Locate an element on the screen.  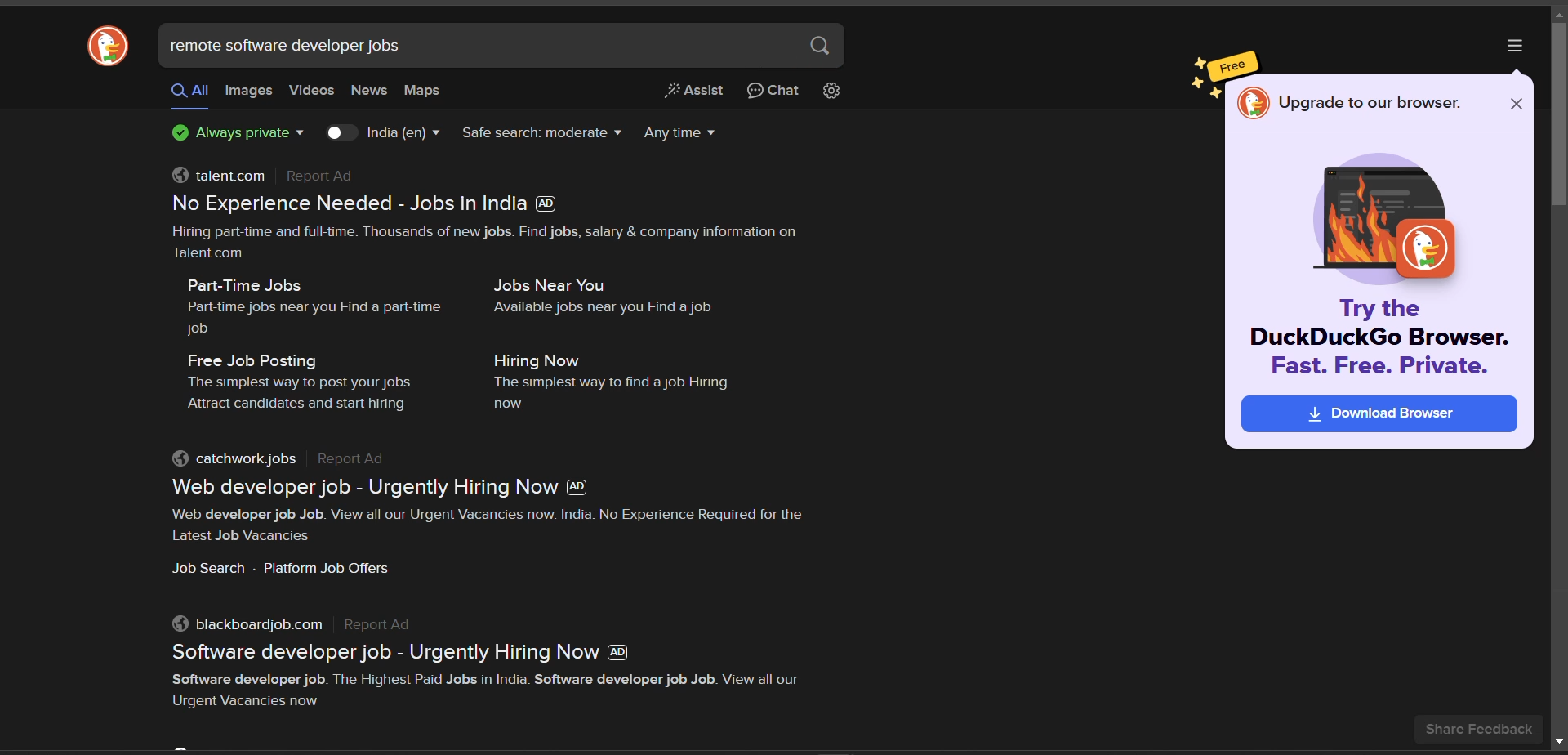
image is located at coordinates (1375, 219).